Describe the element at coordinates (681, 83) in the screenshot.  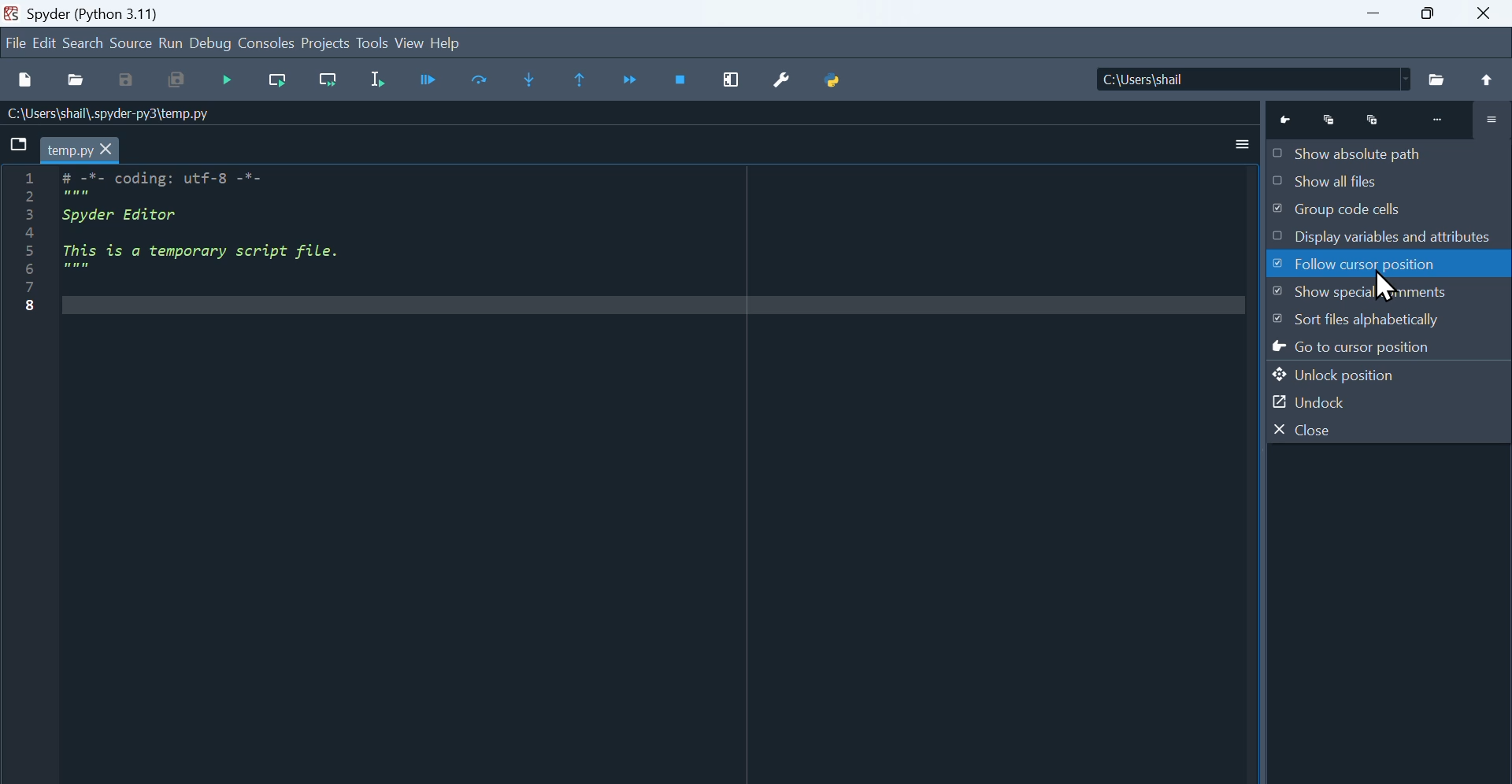
I see `Stop debugging` at that location.